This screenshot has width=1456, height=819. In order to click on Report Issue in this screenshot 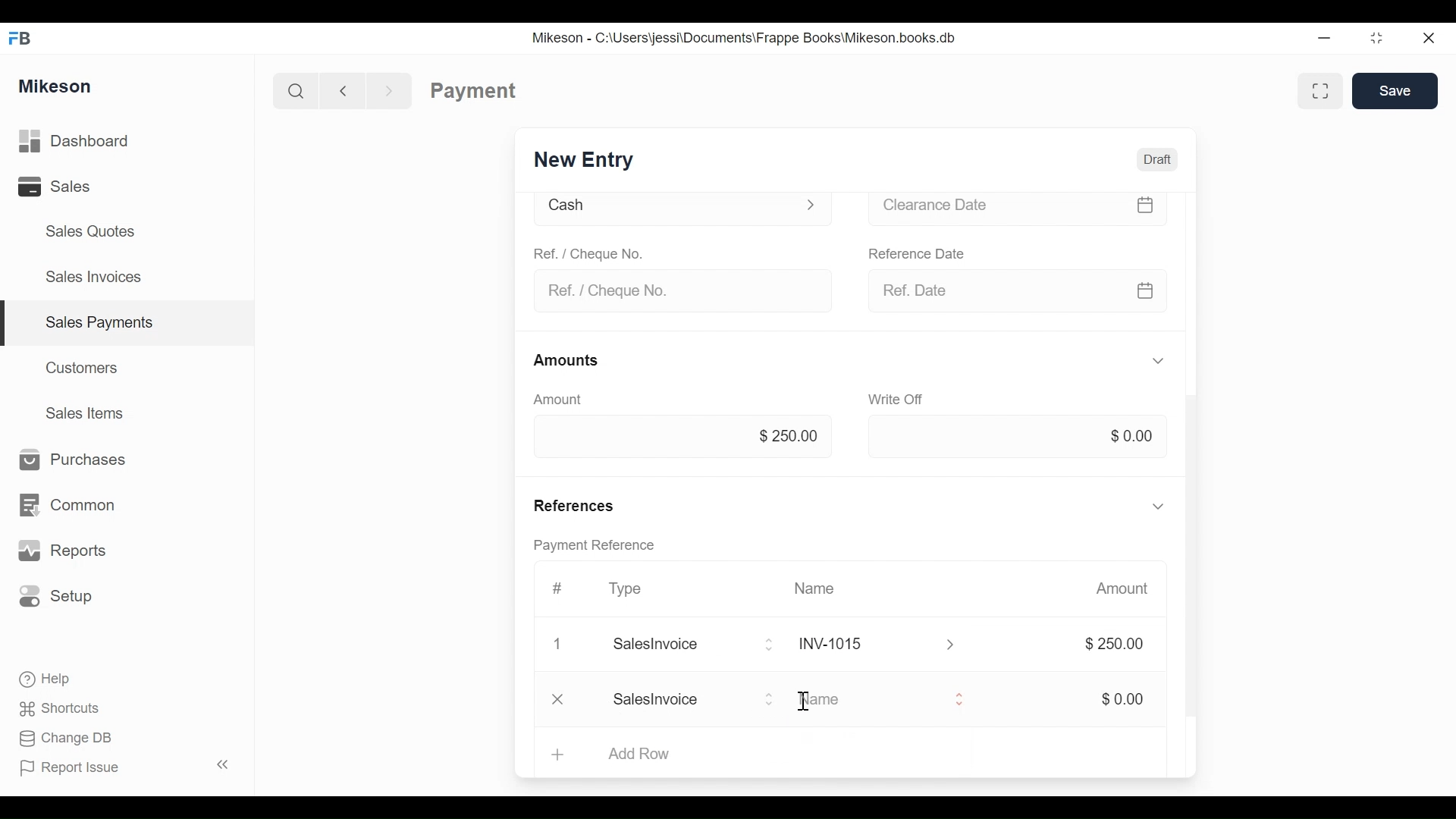, I will do `click(77, 768)`.